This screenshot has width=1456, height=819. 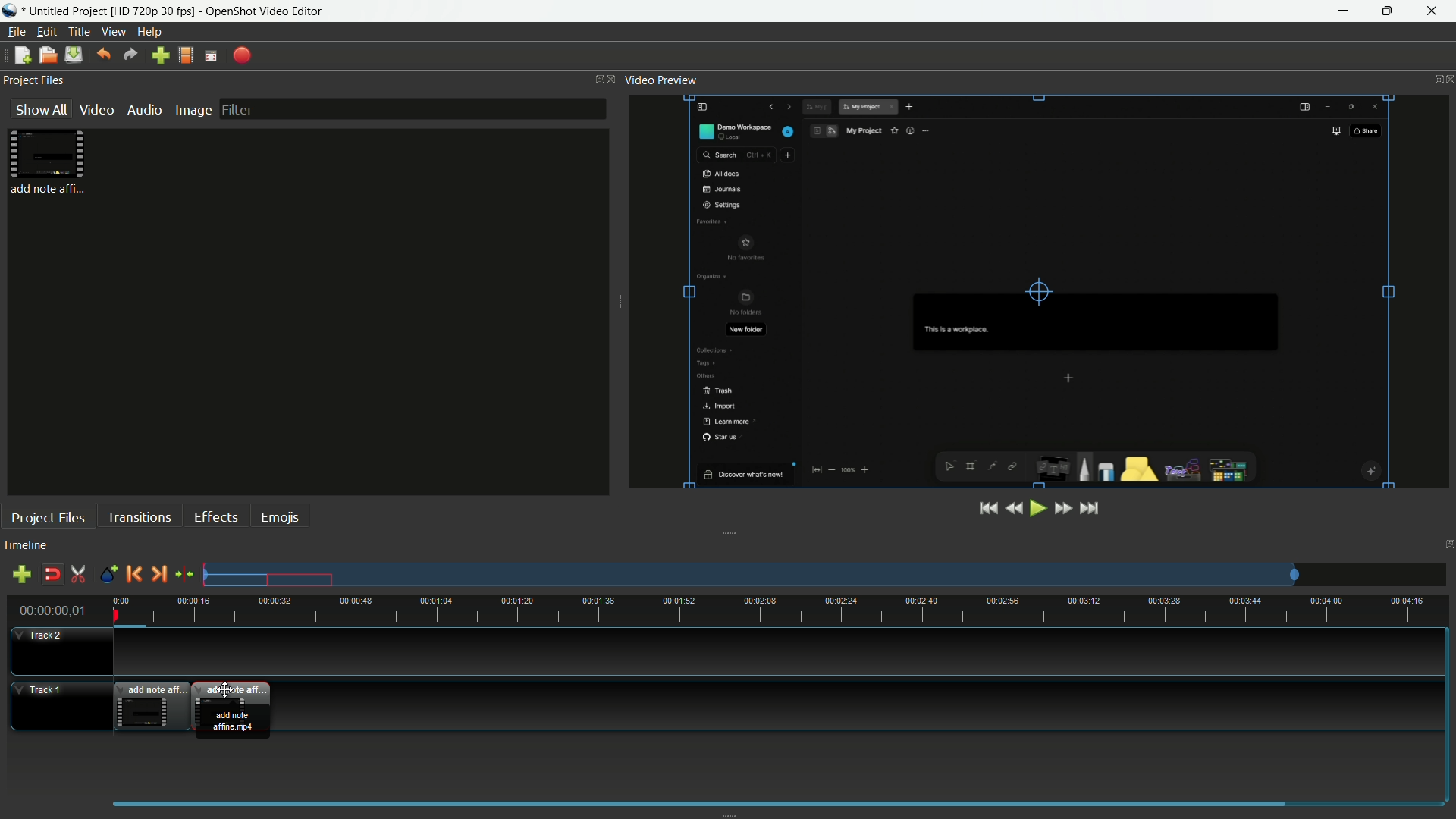 What do you see at coordinates (21, 573) in the screenshot?
I see `add track` at bounding box center [21, 573].